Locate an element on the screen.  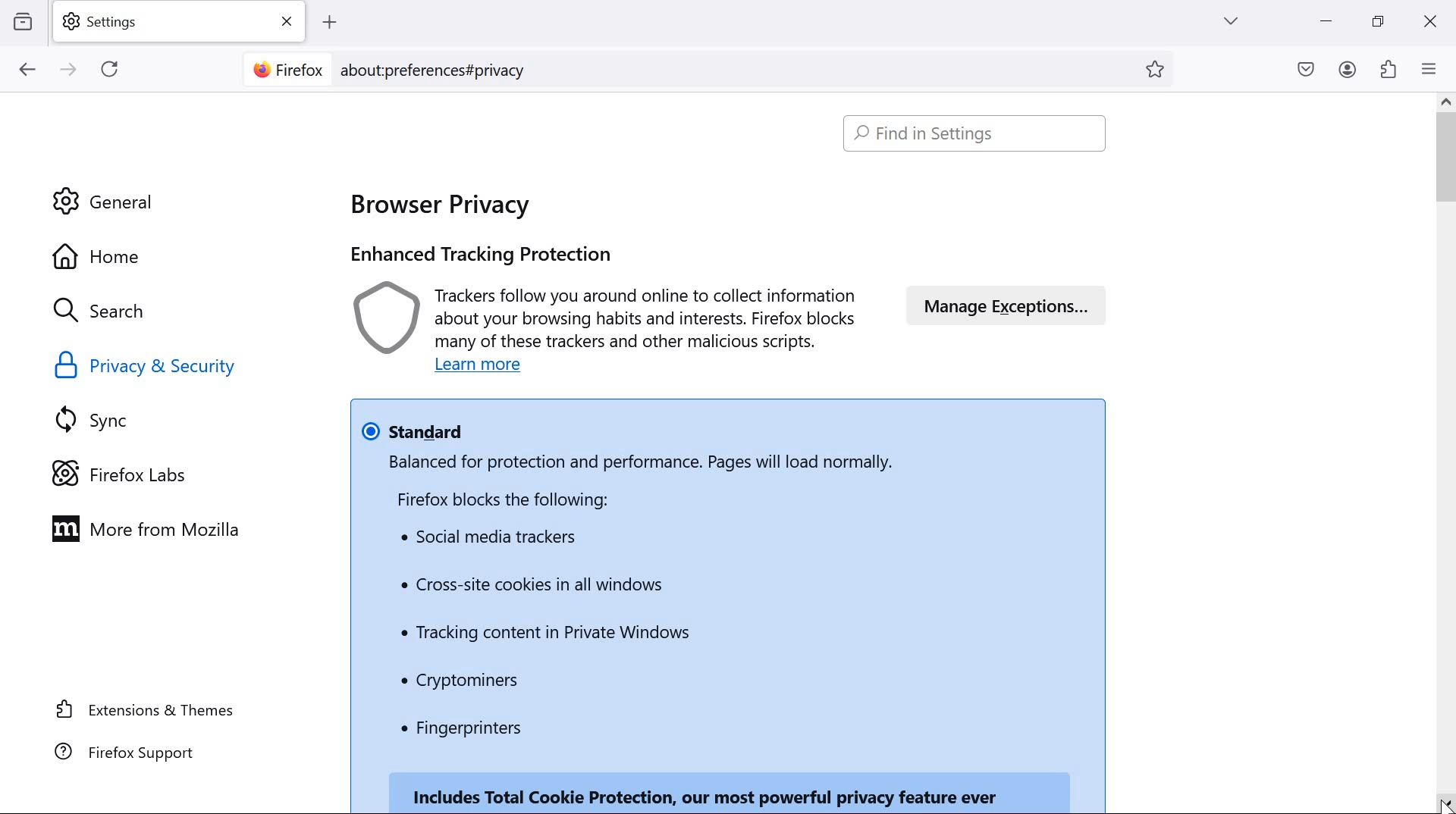
General is located at coordinates (108, 201).